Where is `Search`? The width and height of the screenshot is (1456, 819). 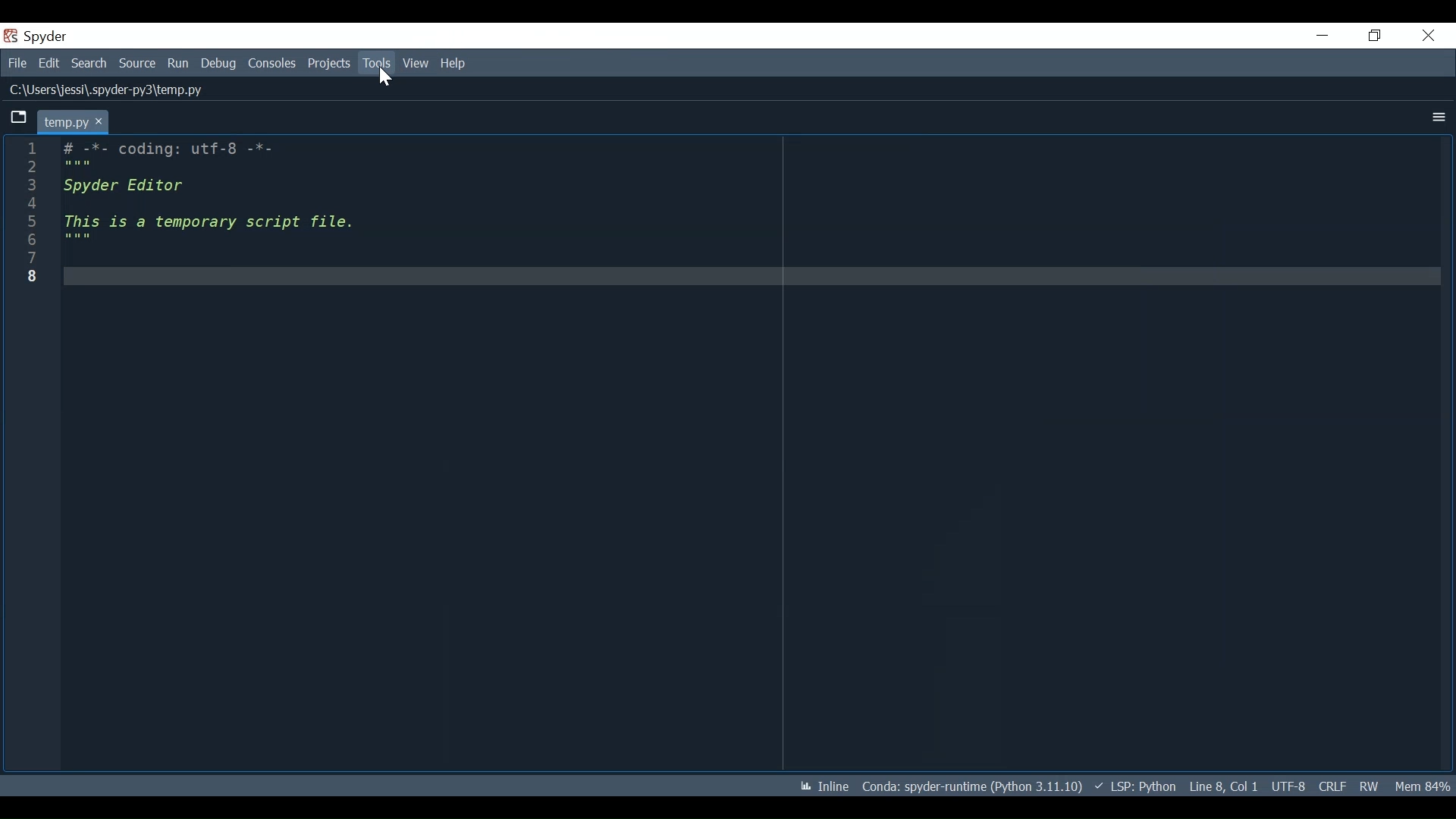
Search is located at coordinates (89, 64).